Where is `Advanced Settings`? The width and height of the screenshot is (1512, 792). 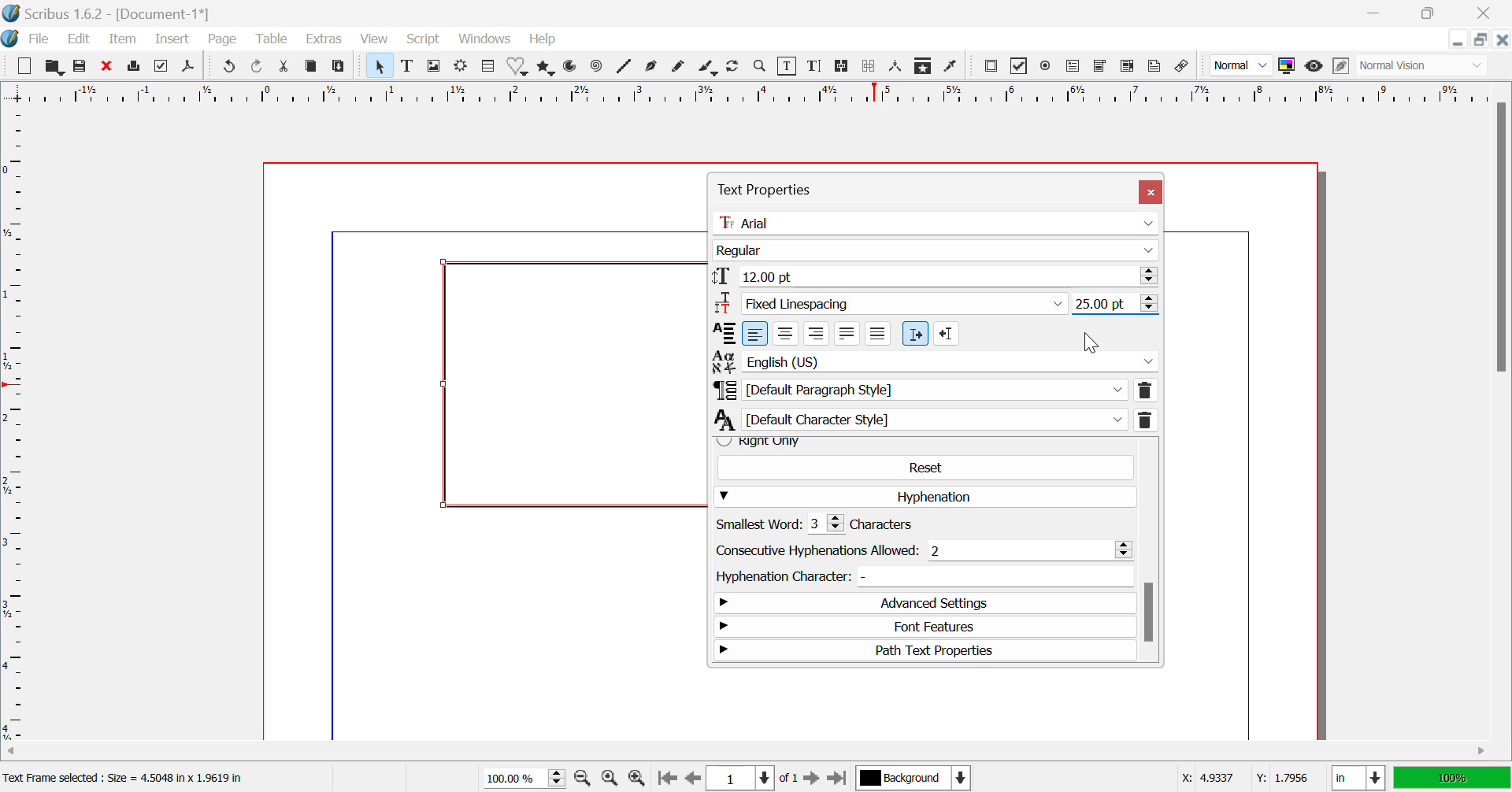 Advanced Settings is located at coordinates (921, 604).